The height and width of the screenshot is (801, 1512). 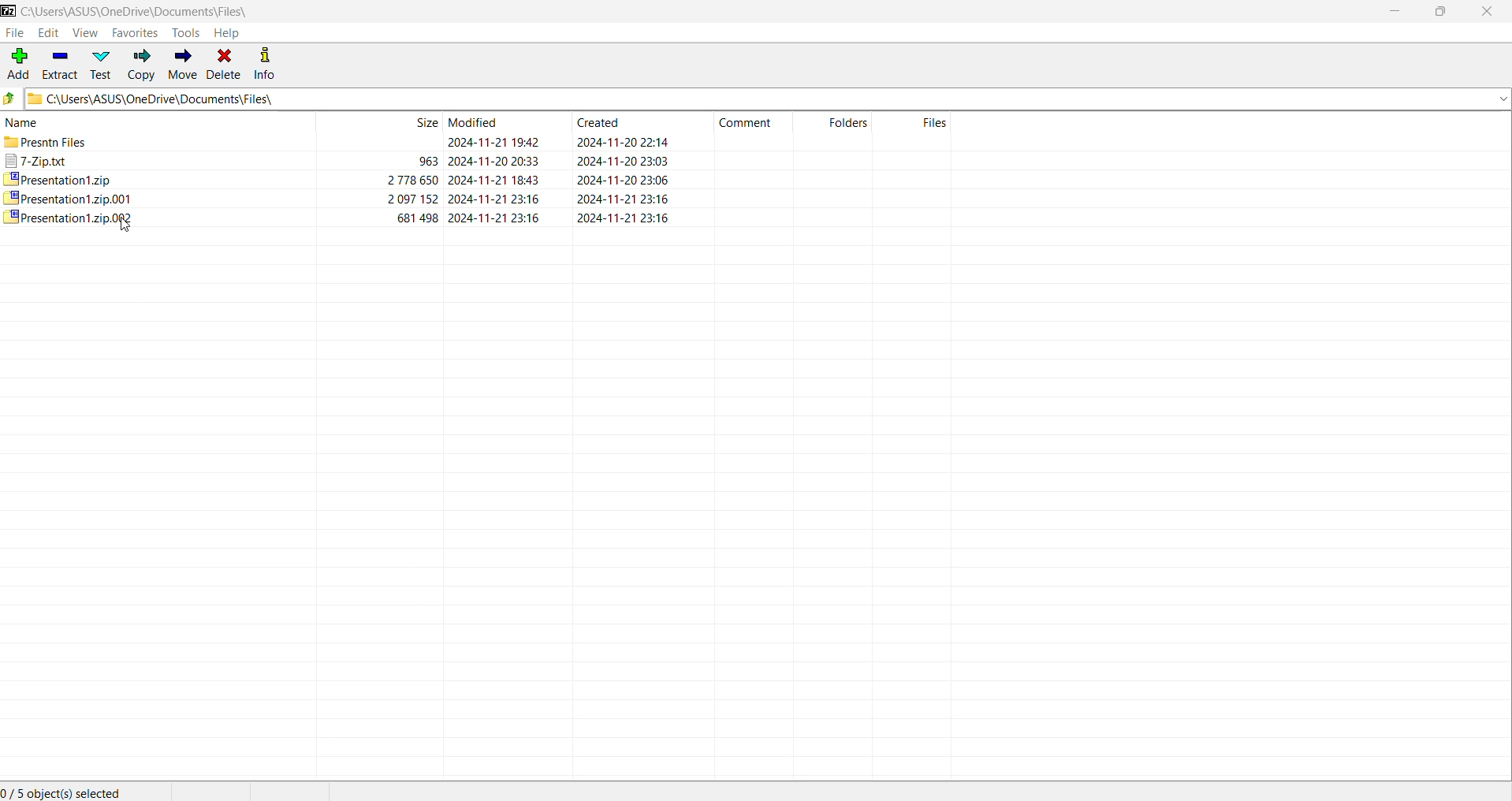 What do you see at coordinates (9, 12) in the screenshot?
I see `7 zipLogo` at bounding box center [9, 12].